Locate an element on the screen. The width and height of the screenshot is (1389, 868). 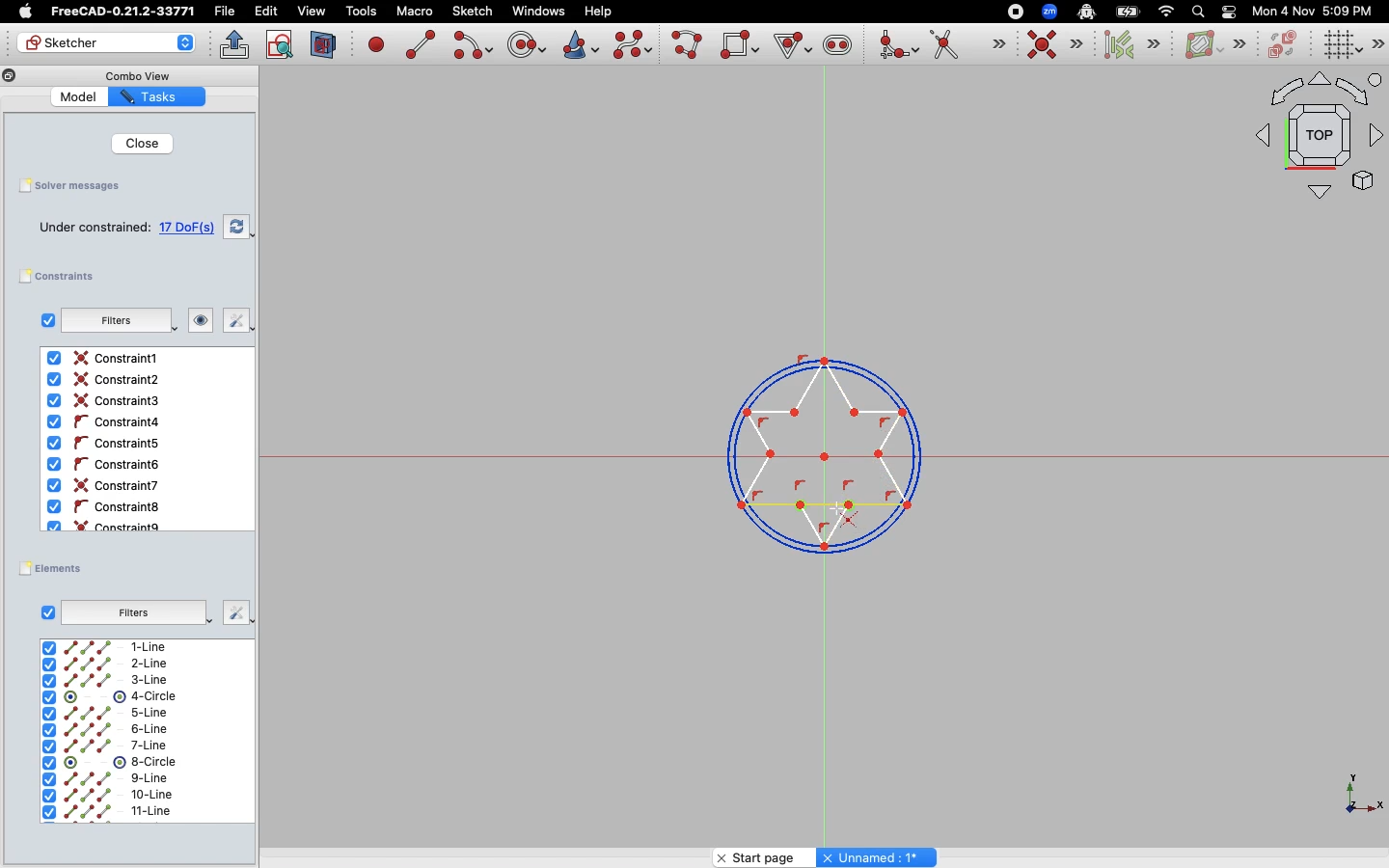
Cursor is located at coordinates (841, 508).